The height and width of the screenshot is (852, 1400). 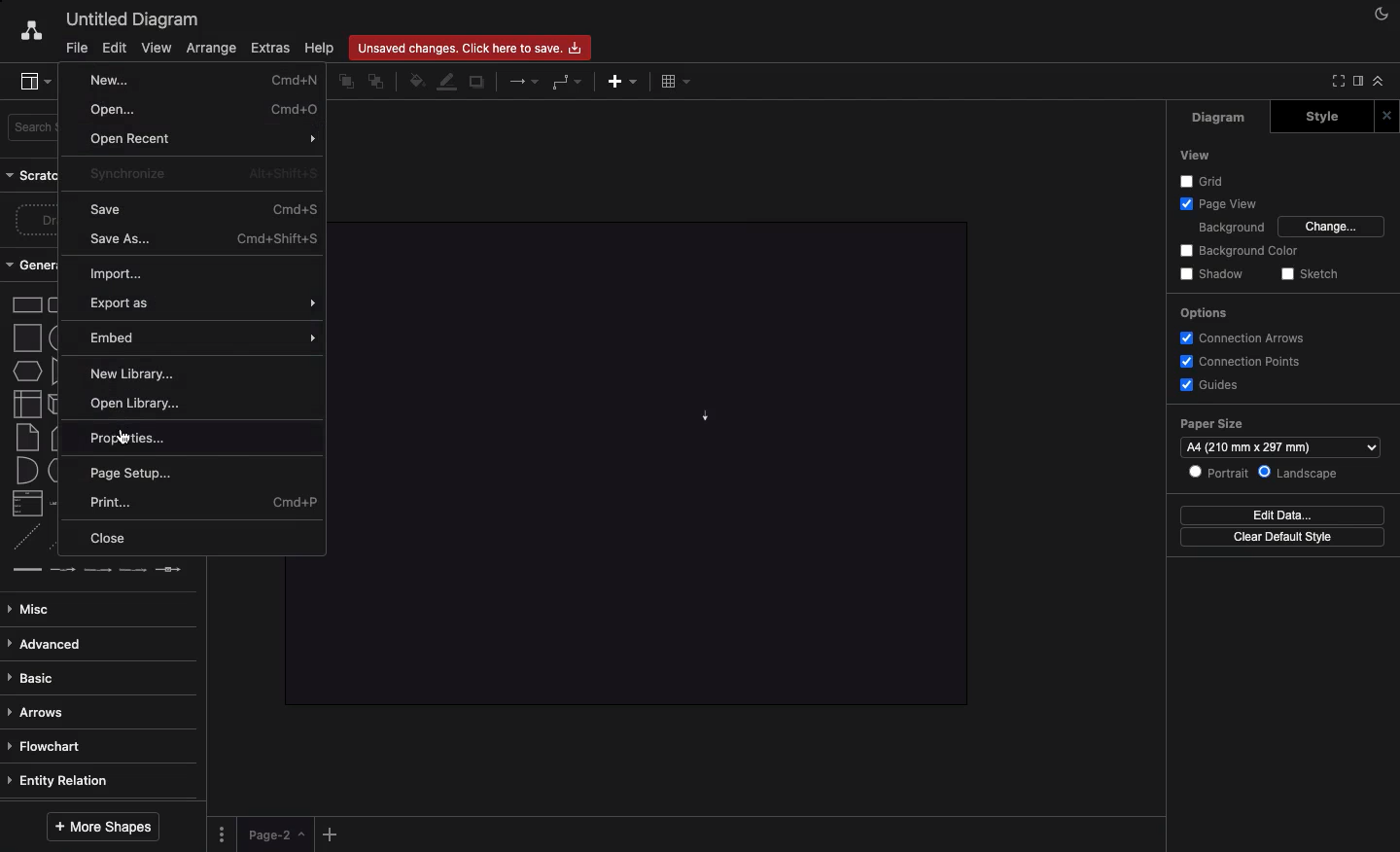 What do you see at coordinates (205, 110) in the screenshot?
I see `Open` at bounding box center [205, 110].